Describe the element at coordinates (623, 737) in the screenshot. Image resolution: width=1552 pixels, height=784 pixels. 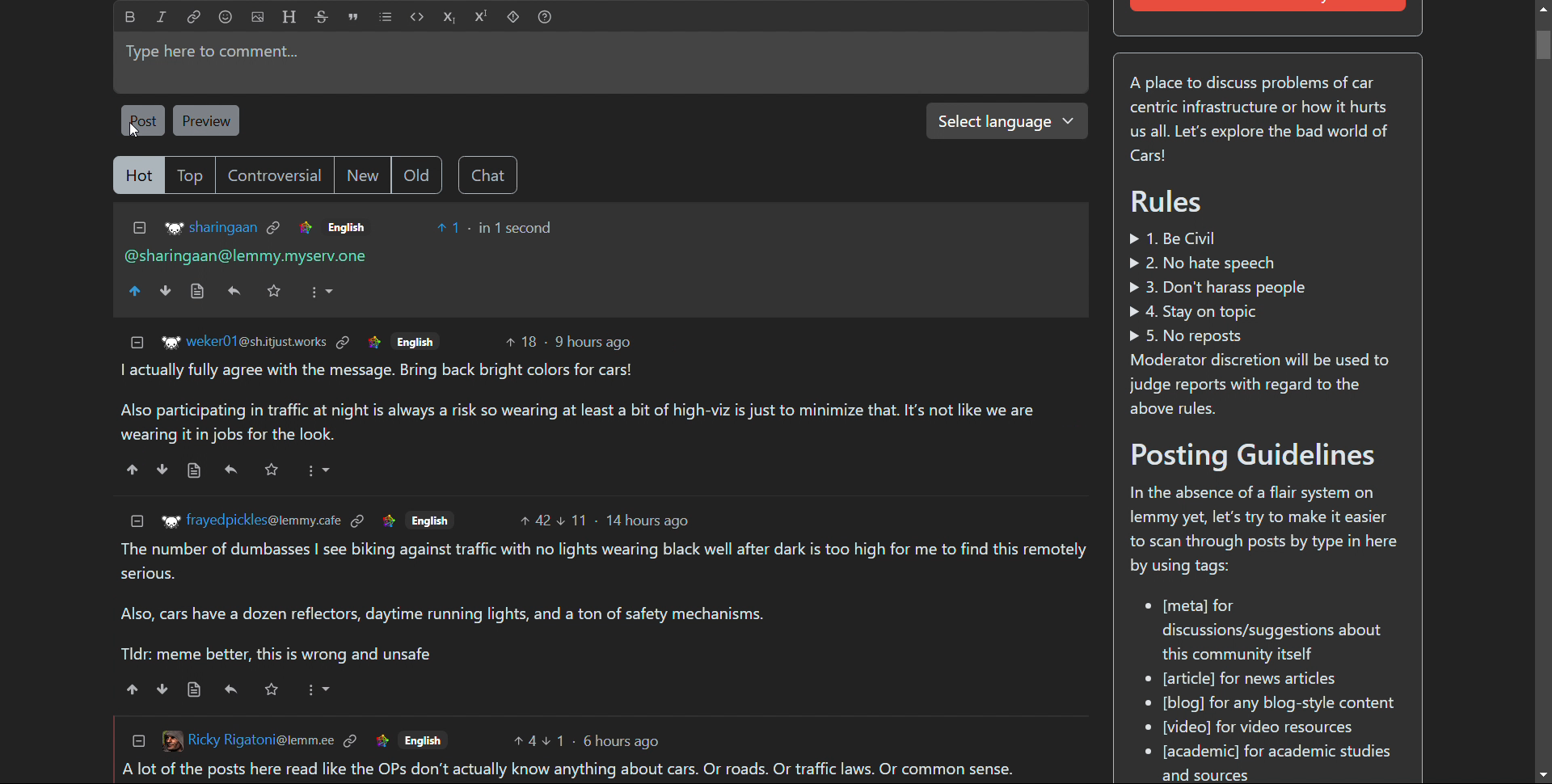
I see `6 hours ago` at that location.